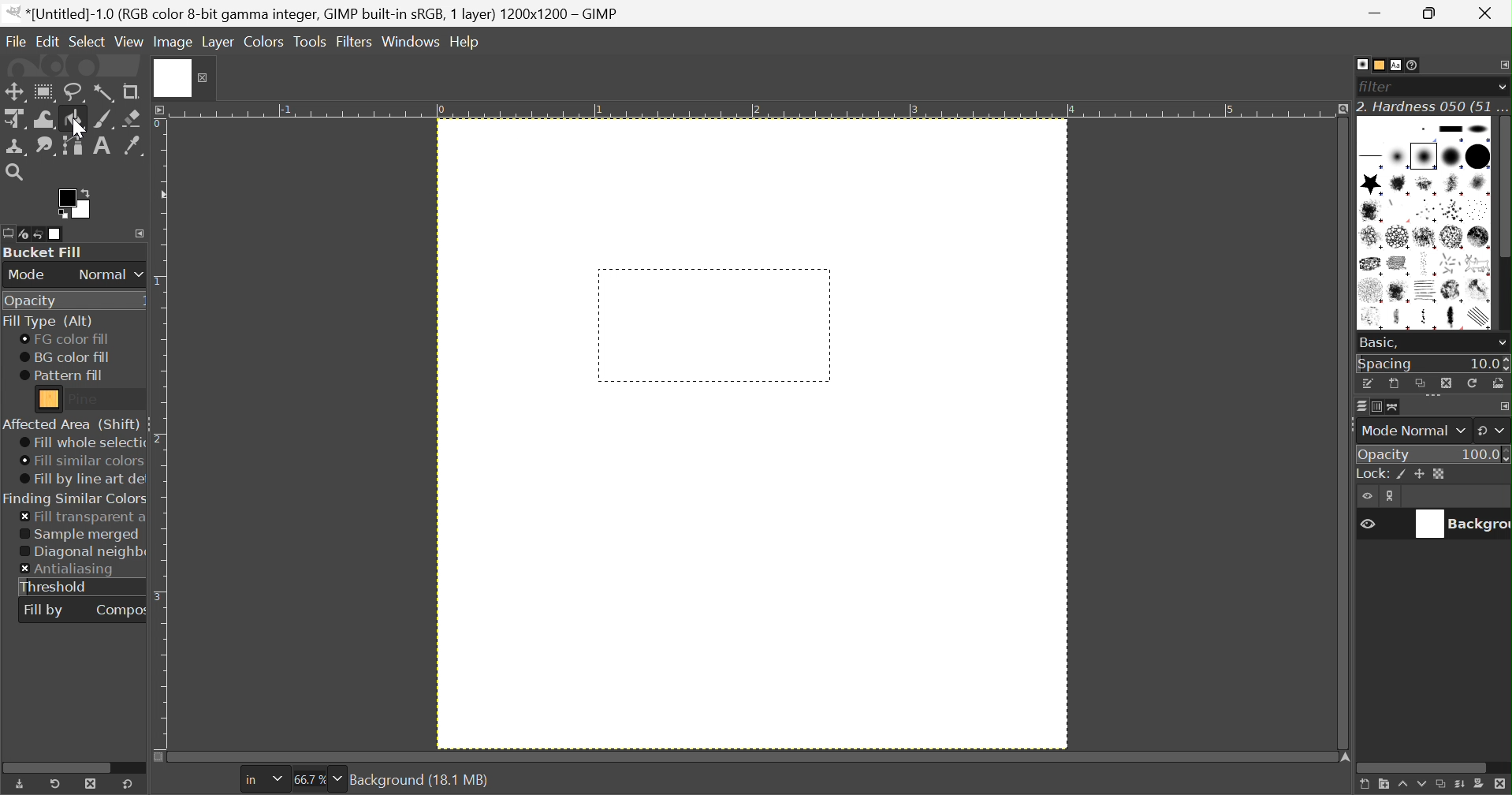 This screenshot has height=795, width=1512. What do you see at coordinates (1502, 785) in the screenshot?
I see `Delete this layer` at bounding box center [1502, 785].